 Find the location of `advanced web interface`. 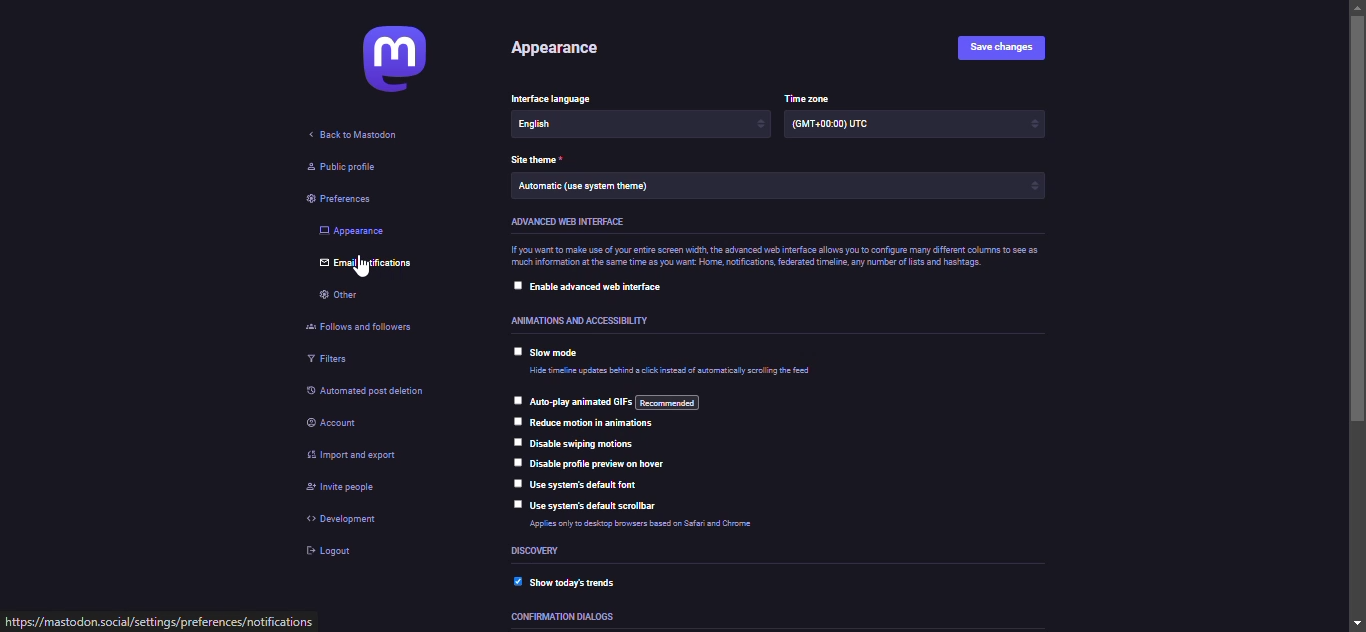

advanced web interface is located at coordinates (575, 221).